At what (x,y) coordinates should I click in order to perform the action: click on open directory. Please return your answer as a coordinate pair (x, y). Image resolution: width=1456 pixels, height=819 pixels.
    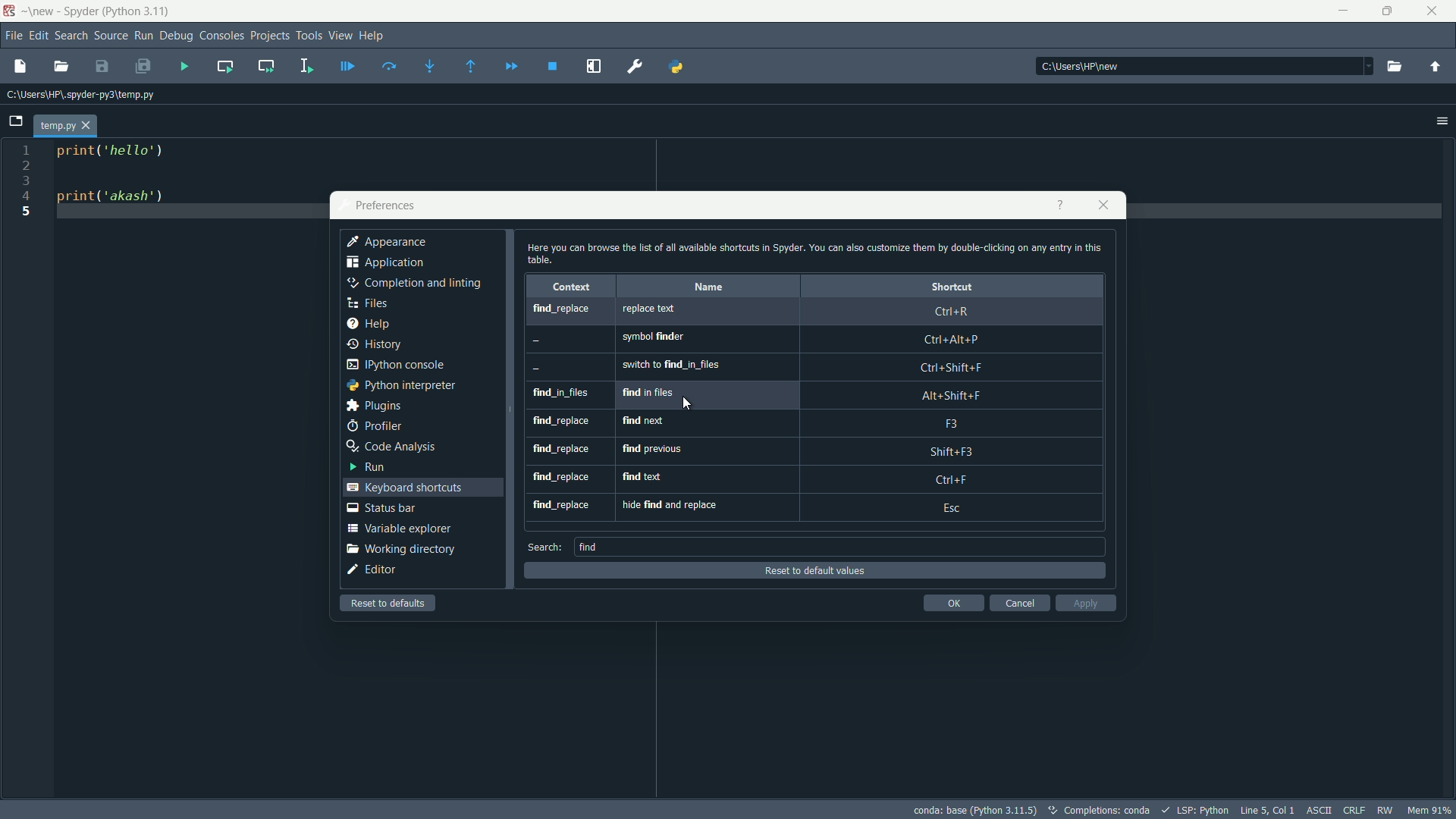
    Looking at the image, I should click on (1398, 68).